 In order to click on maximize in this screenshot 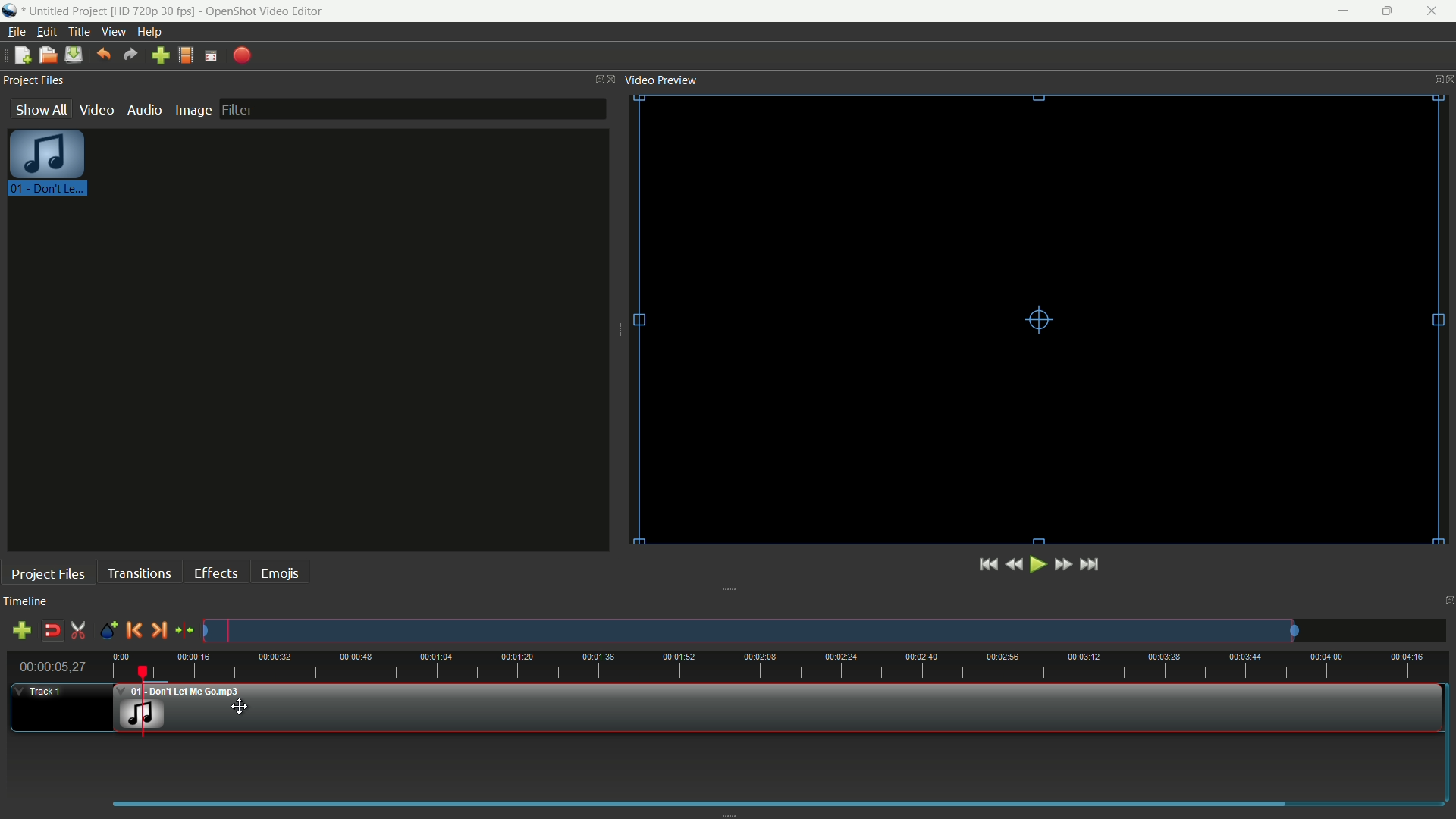, I will do `click(1390, 11)`.